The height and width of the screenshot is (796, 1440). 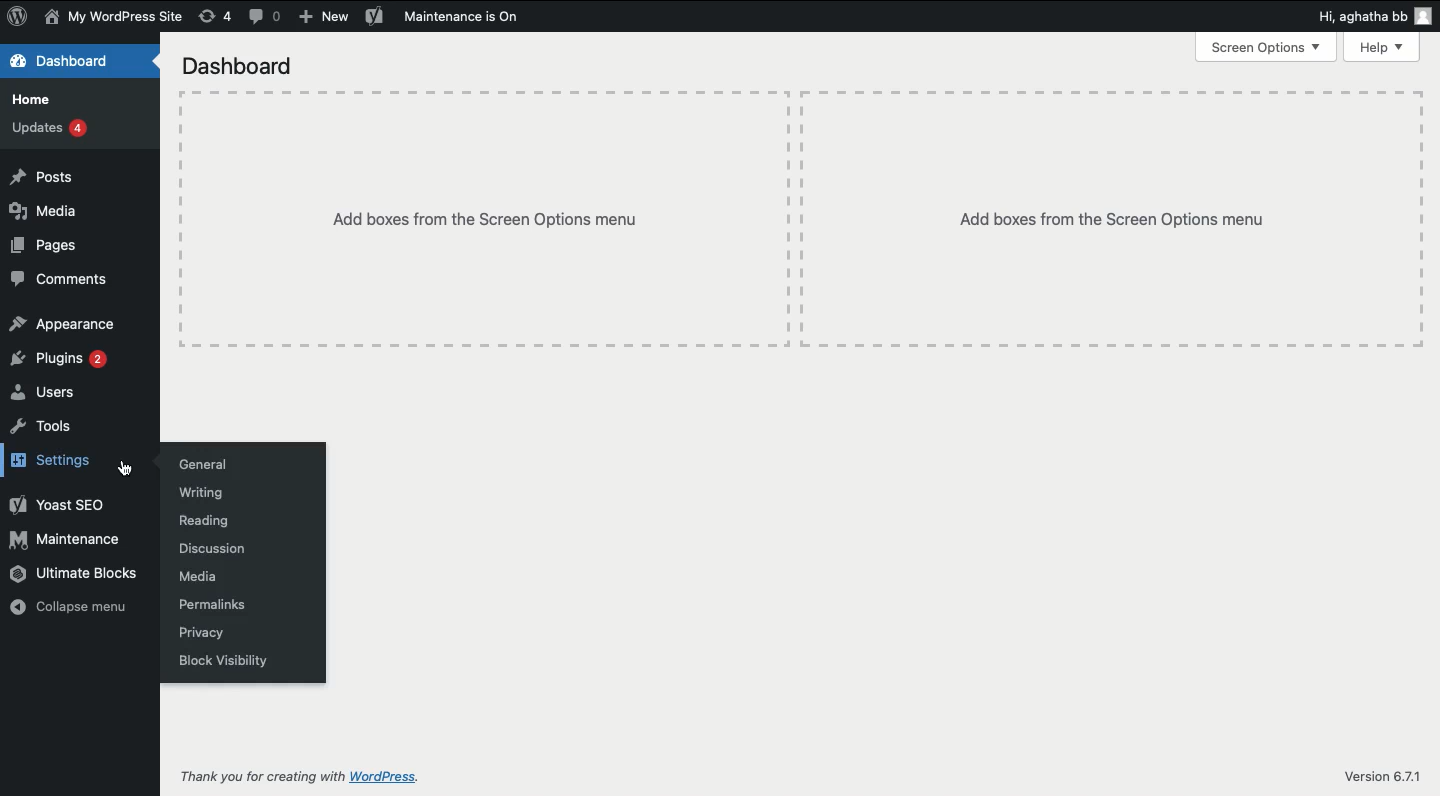 What do you see at coordinates (60, 357) in the screenshot?
I see `plugins` at bounding box center [60, 357].